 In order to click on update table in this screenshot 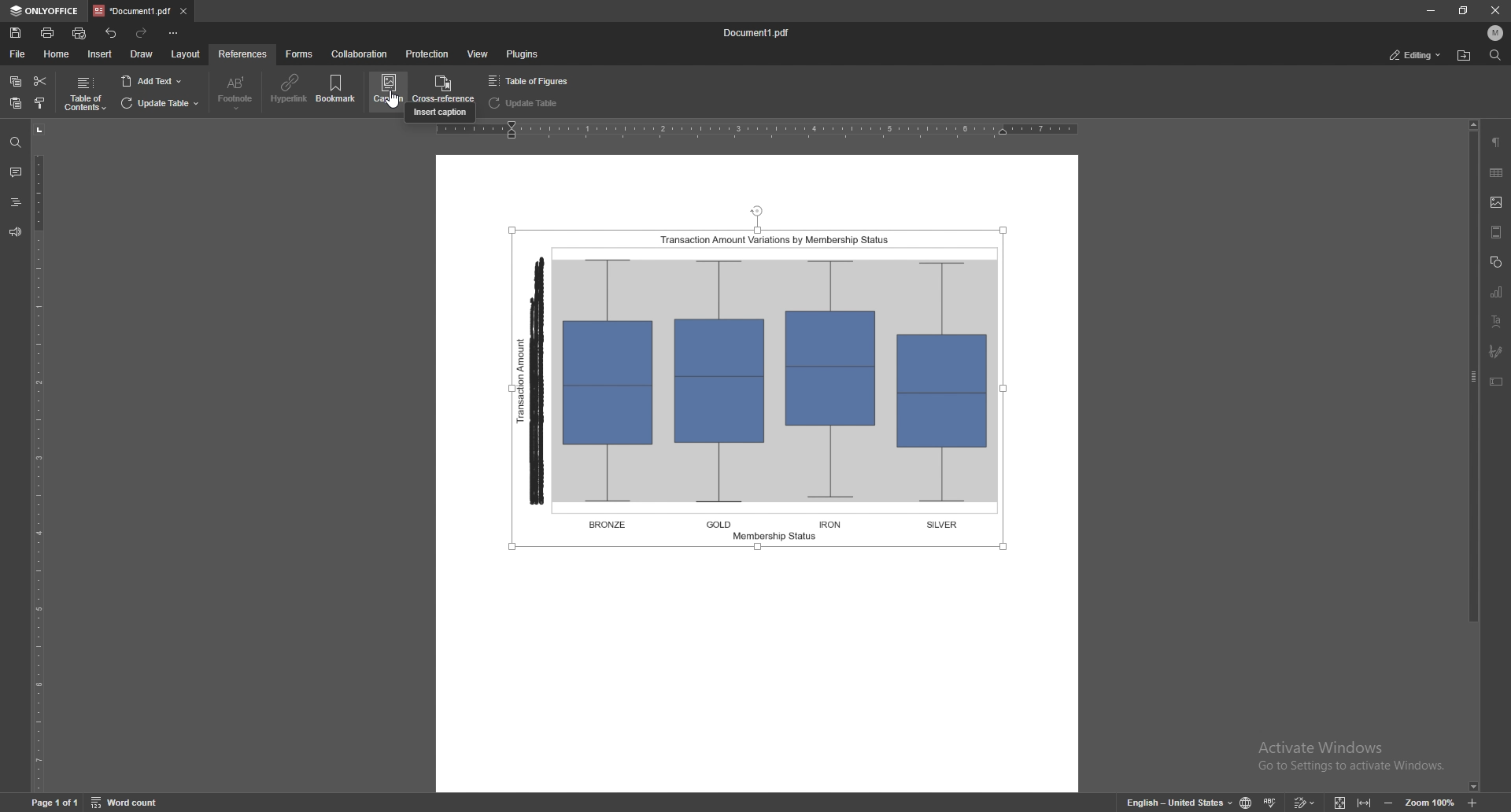, I will do `click(160, 104)`.